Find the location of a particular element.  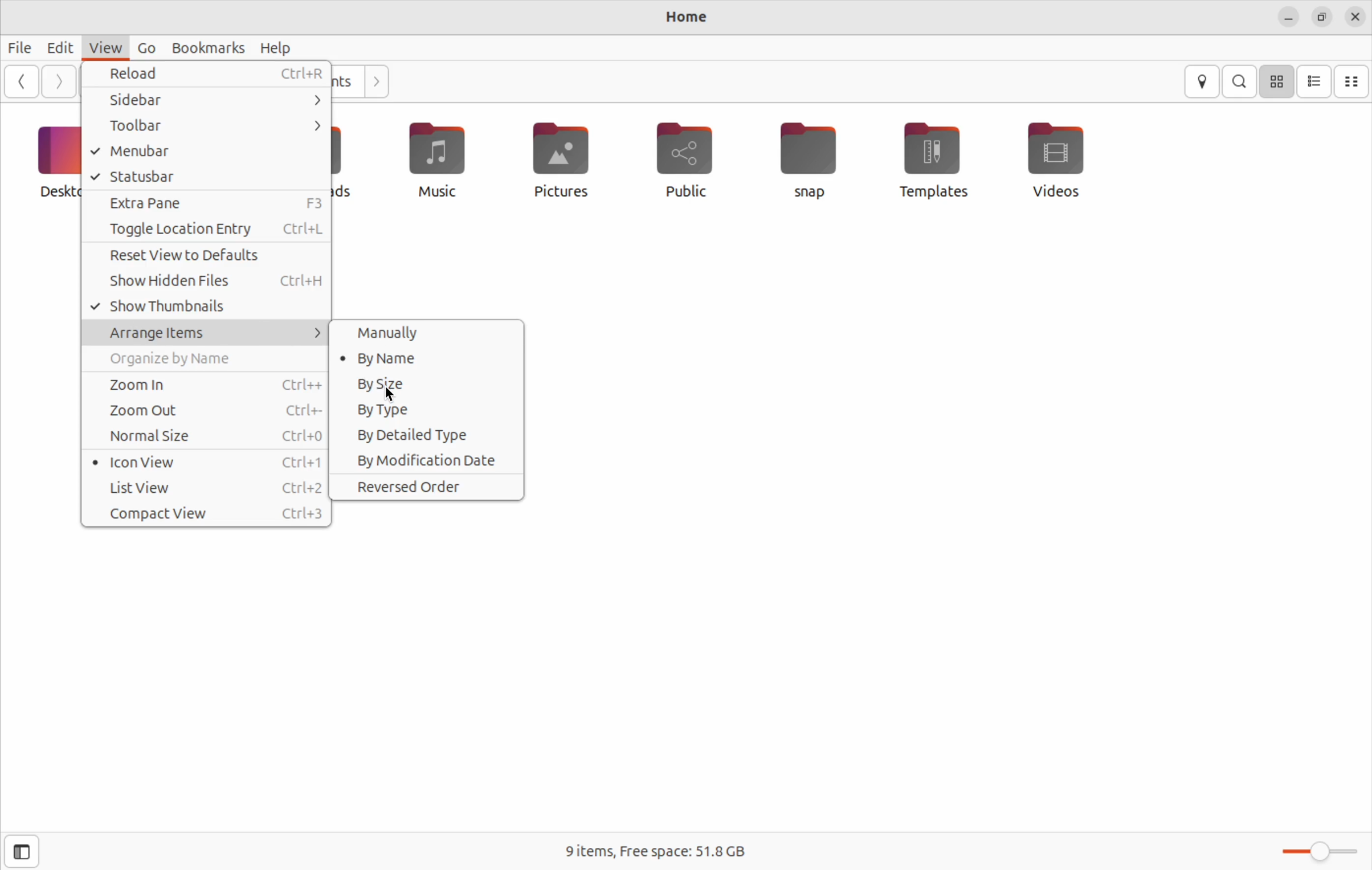

help is located at coordinates (277, 48).